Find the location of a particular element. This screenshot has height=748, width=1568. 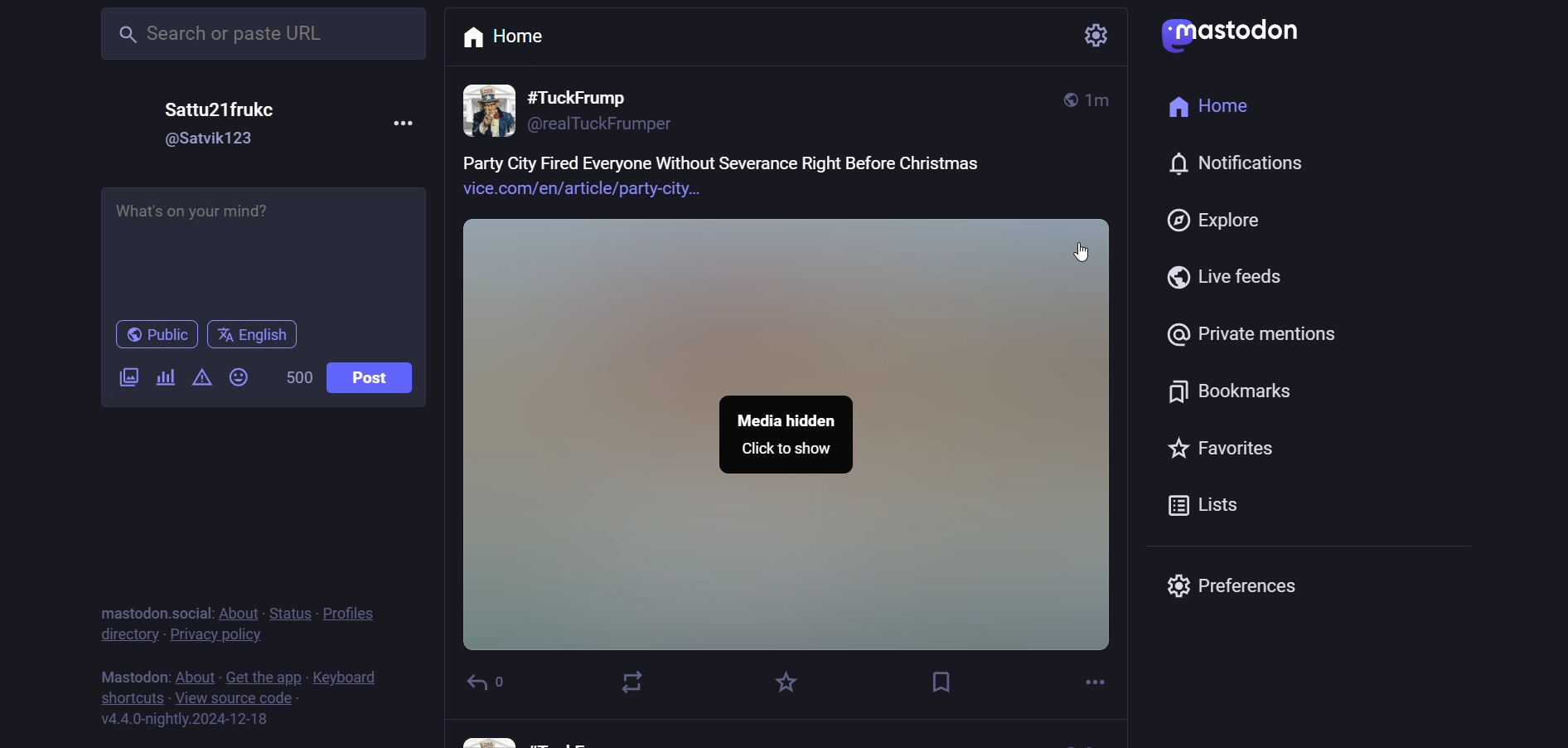

Live feeds is located at coordinates (1221, 279).